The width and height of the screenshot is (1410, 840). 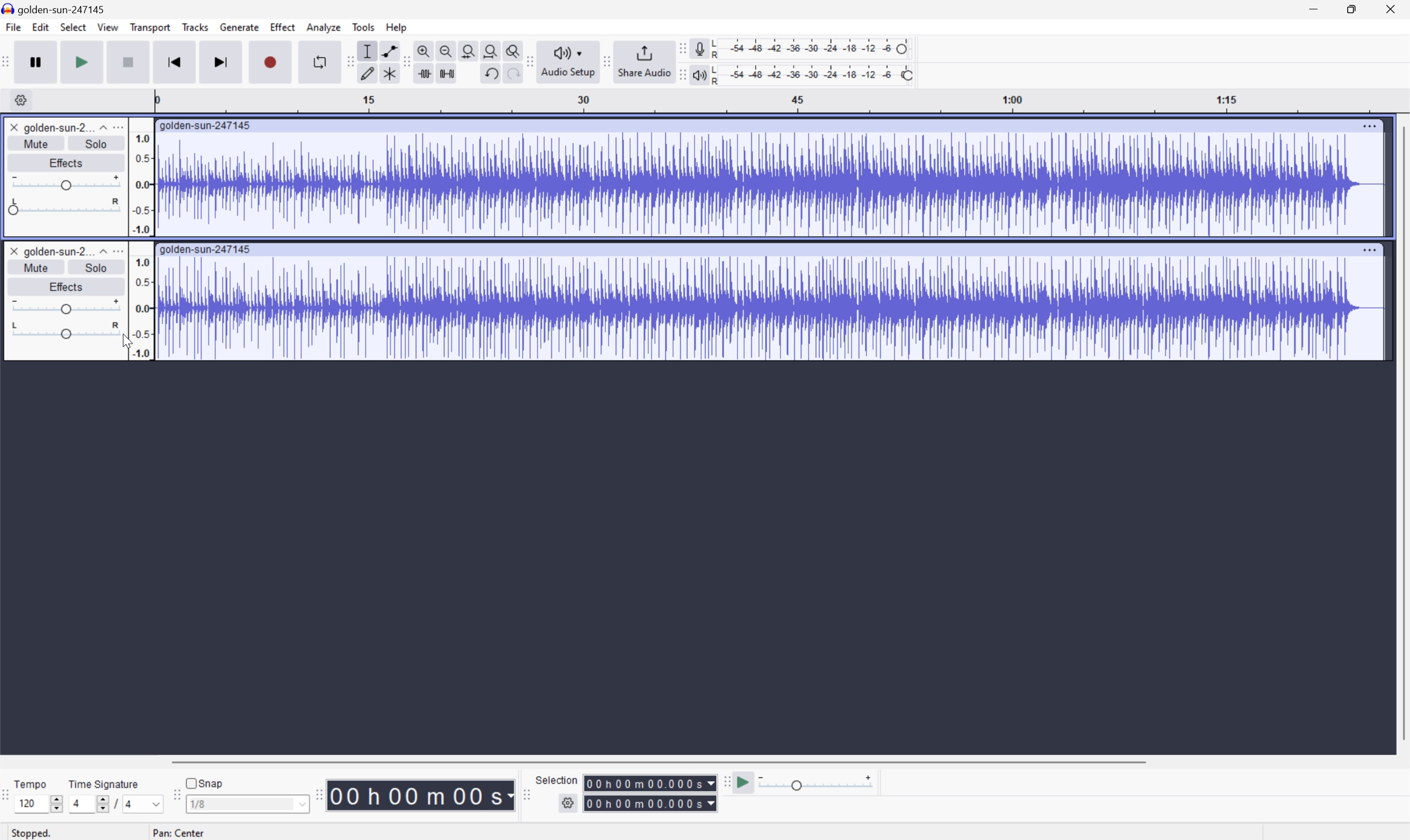 I want to click on Solo, so click(x=100, y=267).